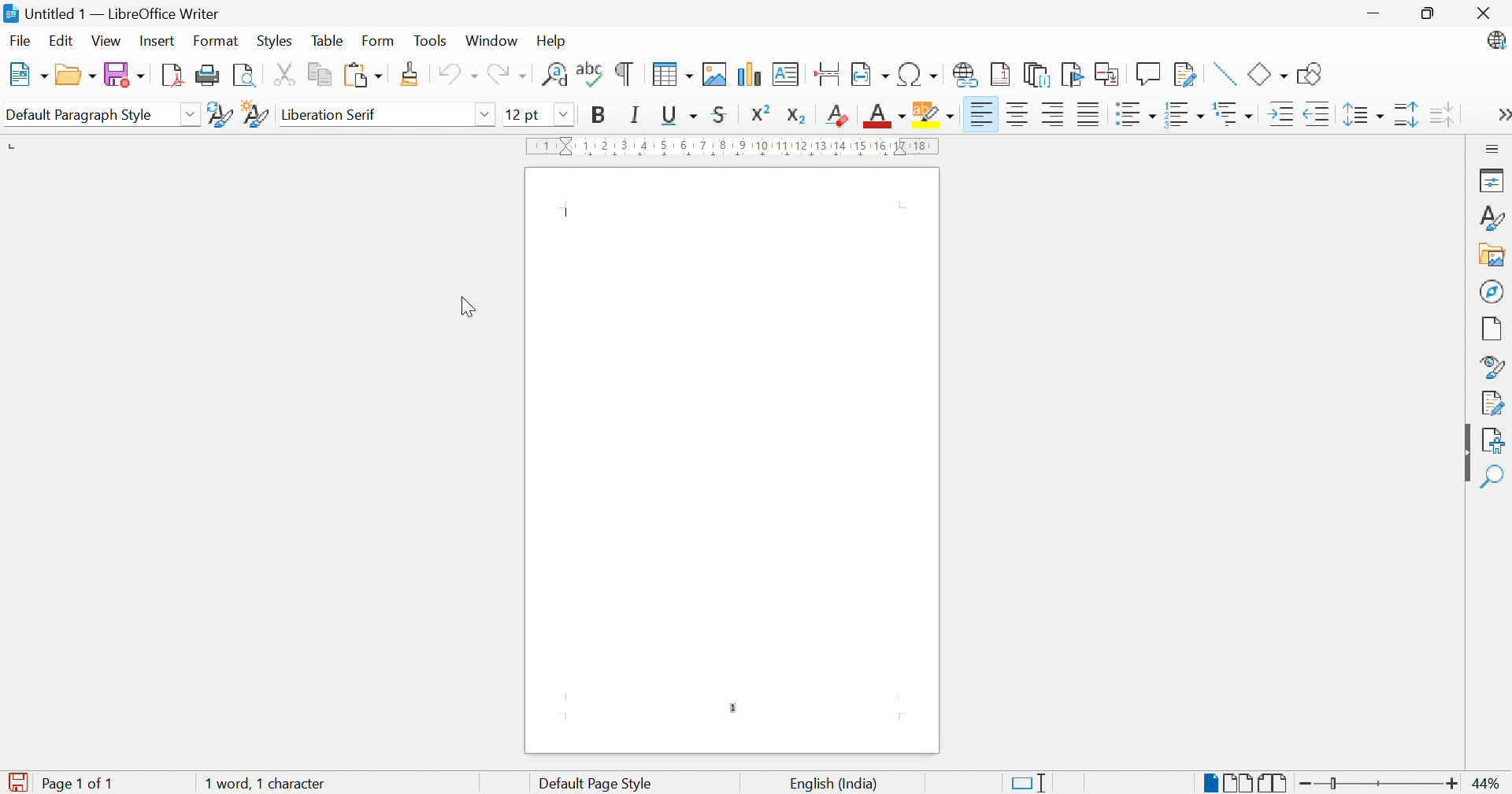  Describe the element at coordinates (18, 41) in the screenshot. I see `File` at that location.